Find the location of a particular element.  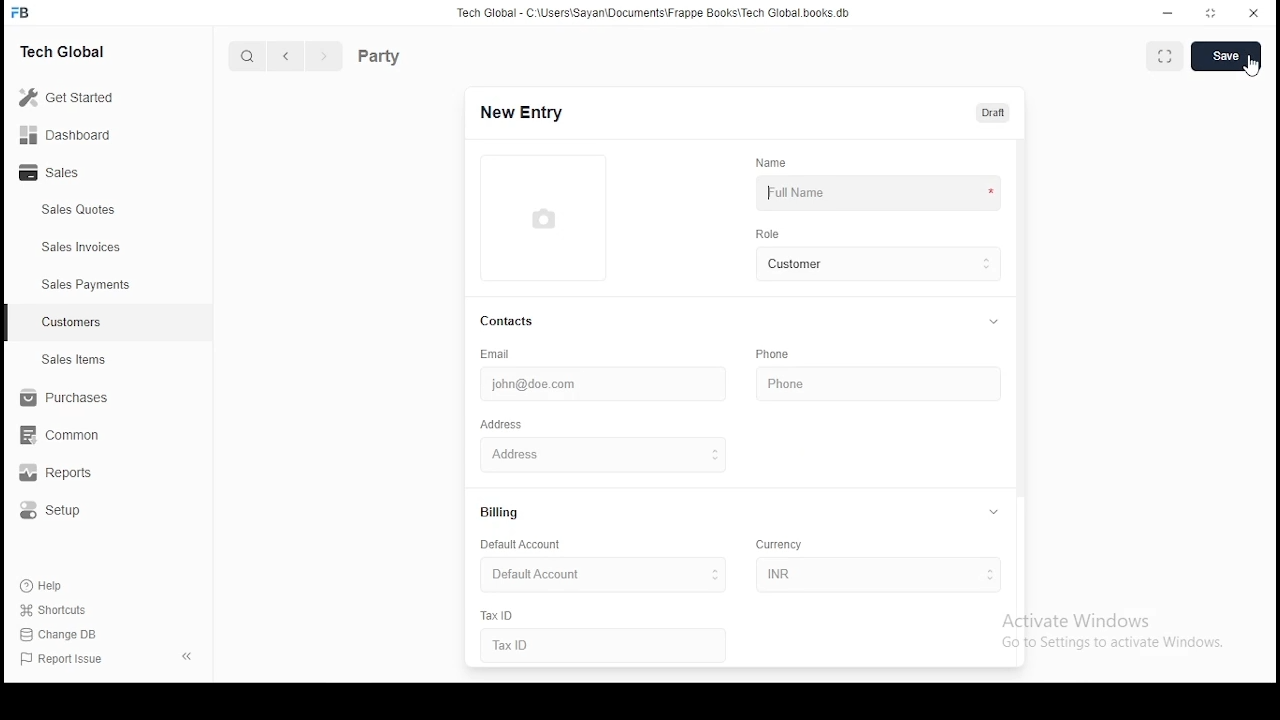

sales items is located at coordinates (72, 360).